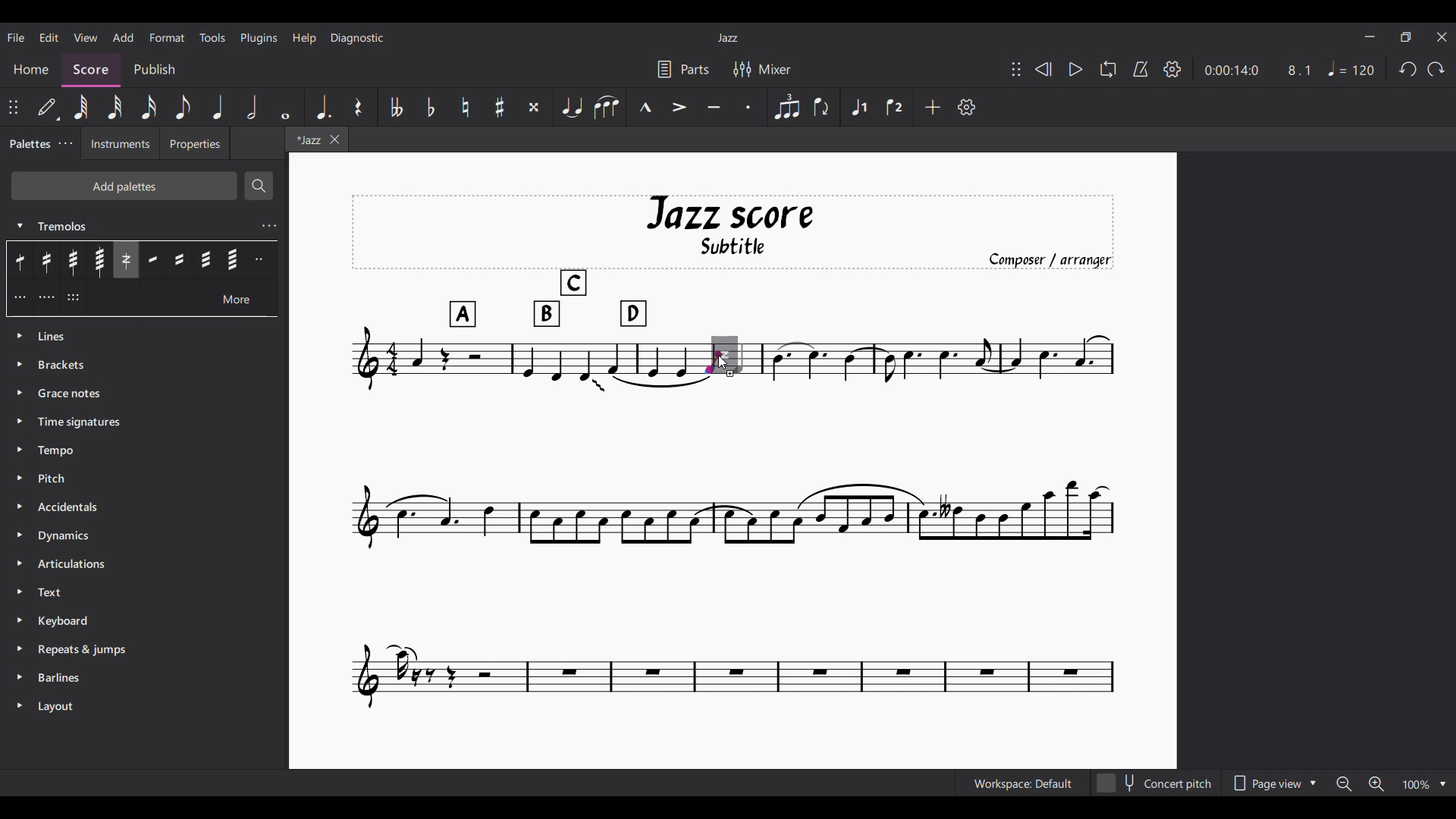 The height and width of the screenshot is (819, 1456). I want to click on Parts, so click(684, 68).